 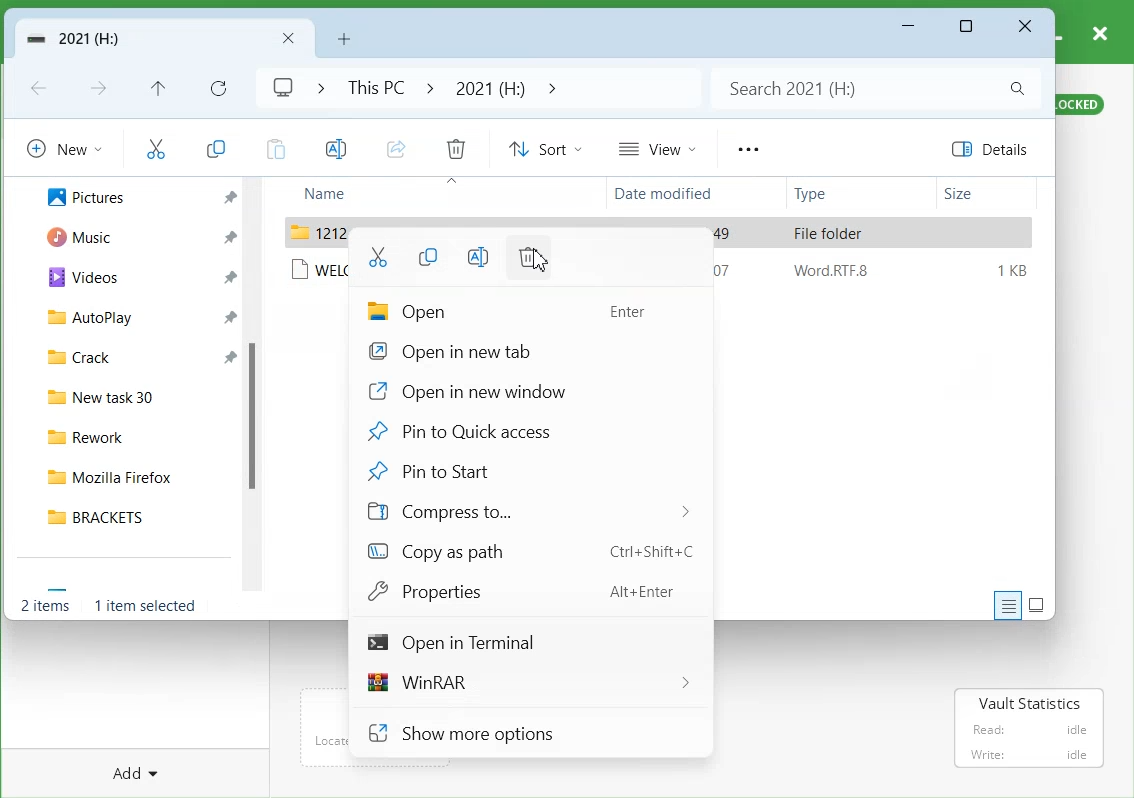 What do you see at coordinates (985, 194) in the screenshot?
I see `Size` at bounding box center [985, 194].